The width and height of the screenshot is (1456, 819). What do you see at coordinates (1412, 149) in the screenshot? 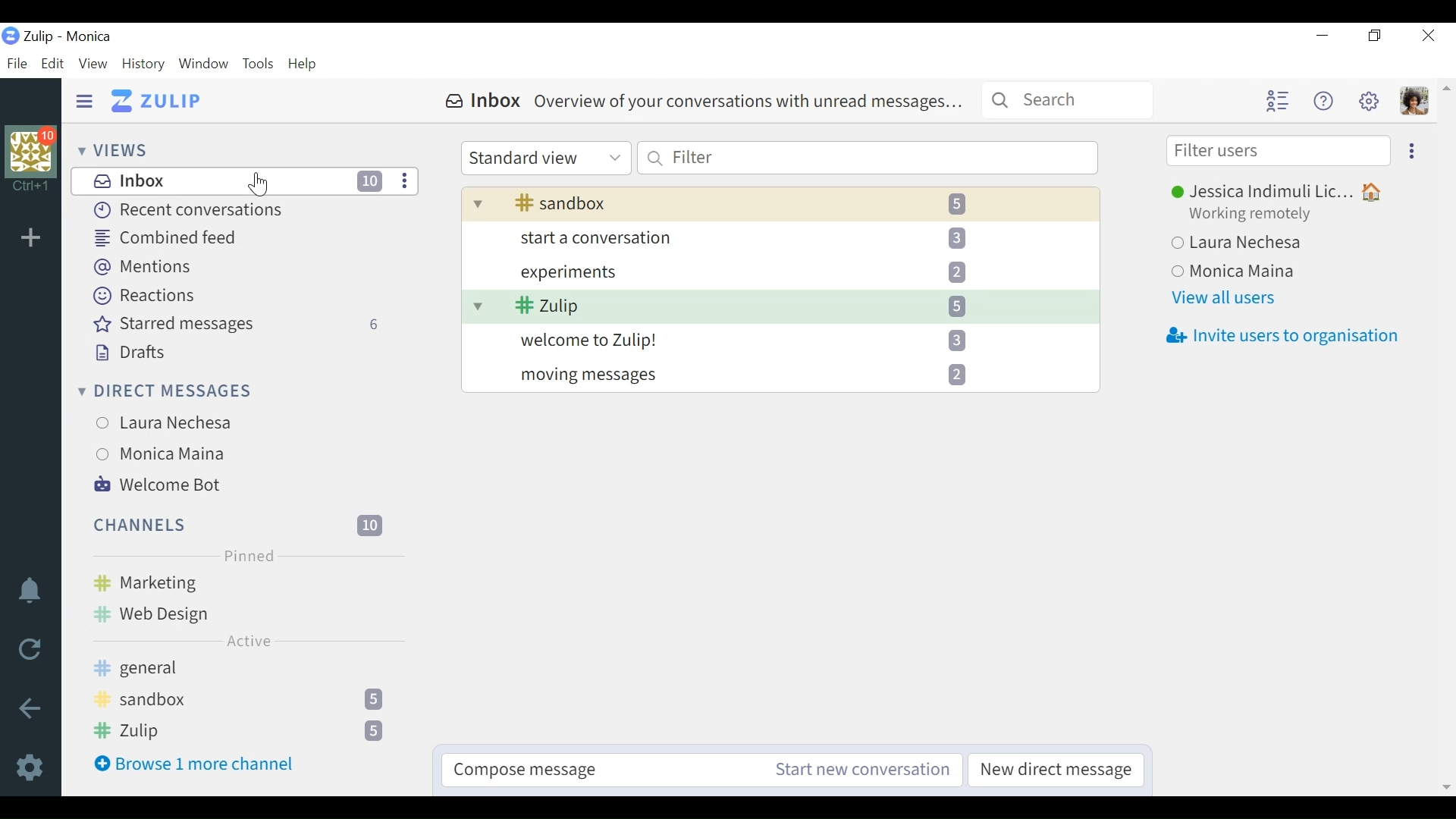
I see `Ellipses` at bounding box center [1412, 149].